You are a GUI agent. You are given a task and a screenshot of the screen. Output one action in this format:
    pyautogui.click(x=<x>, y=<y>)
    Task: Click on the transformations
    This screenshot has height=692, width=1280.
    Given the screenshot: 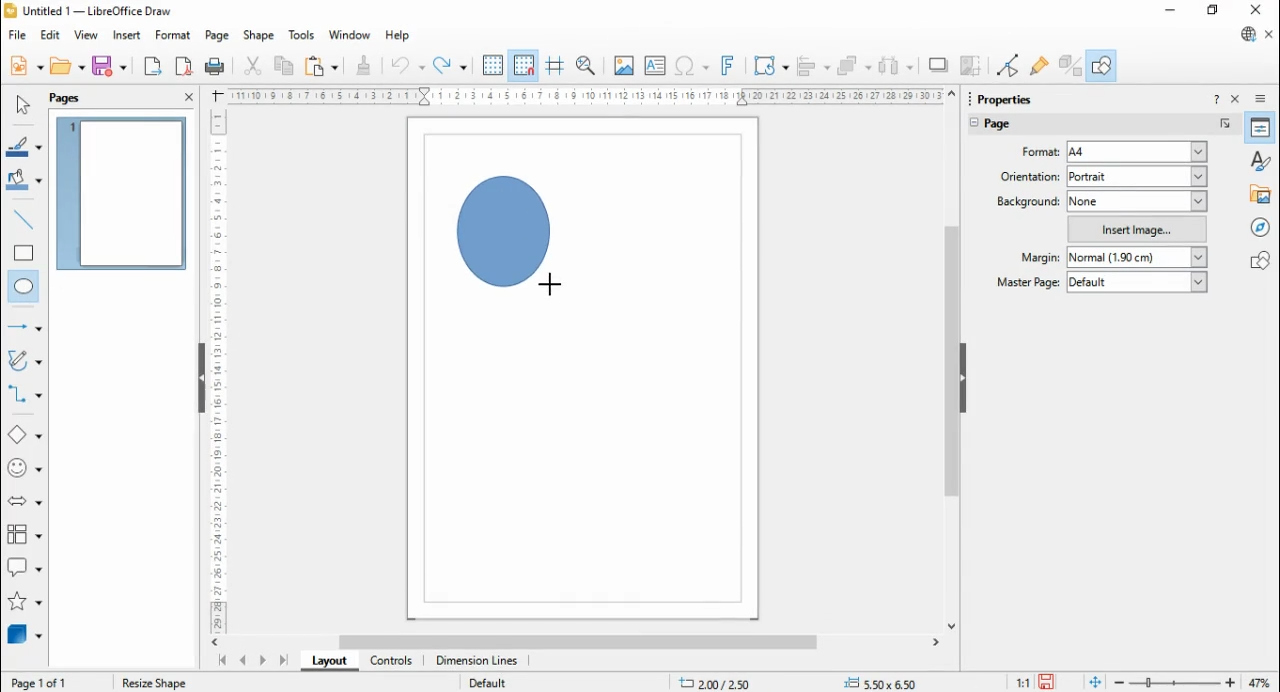 What is the action you would take?
    pyautogui.click(x=769, y=67)
    